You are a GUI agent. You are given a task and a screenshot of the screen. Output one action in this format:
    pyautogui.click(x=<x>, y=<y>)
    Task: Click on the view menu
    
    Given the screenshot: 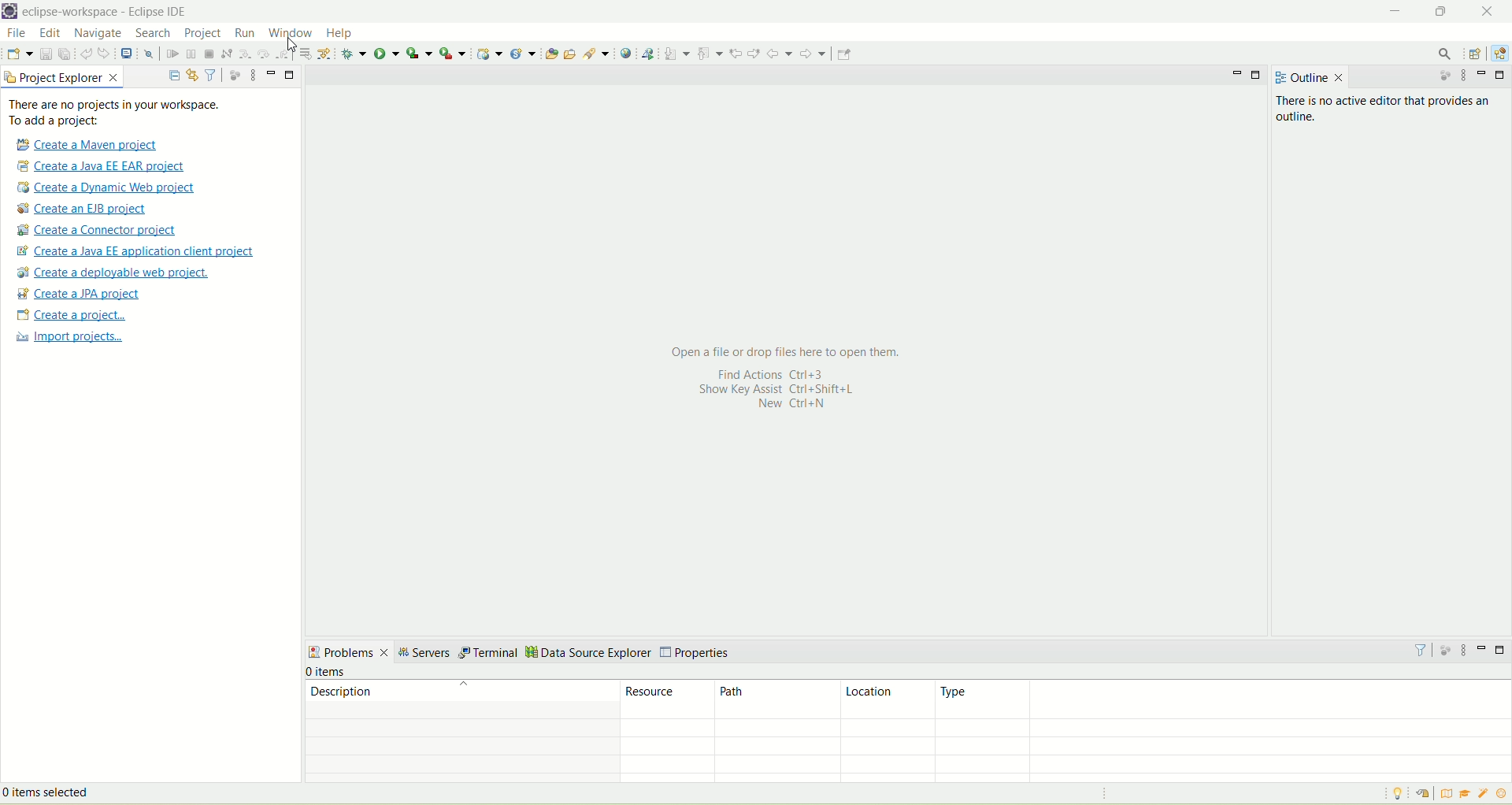 What is the action you would take?
    pyautogui.click(x=1467, y=651)
    